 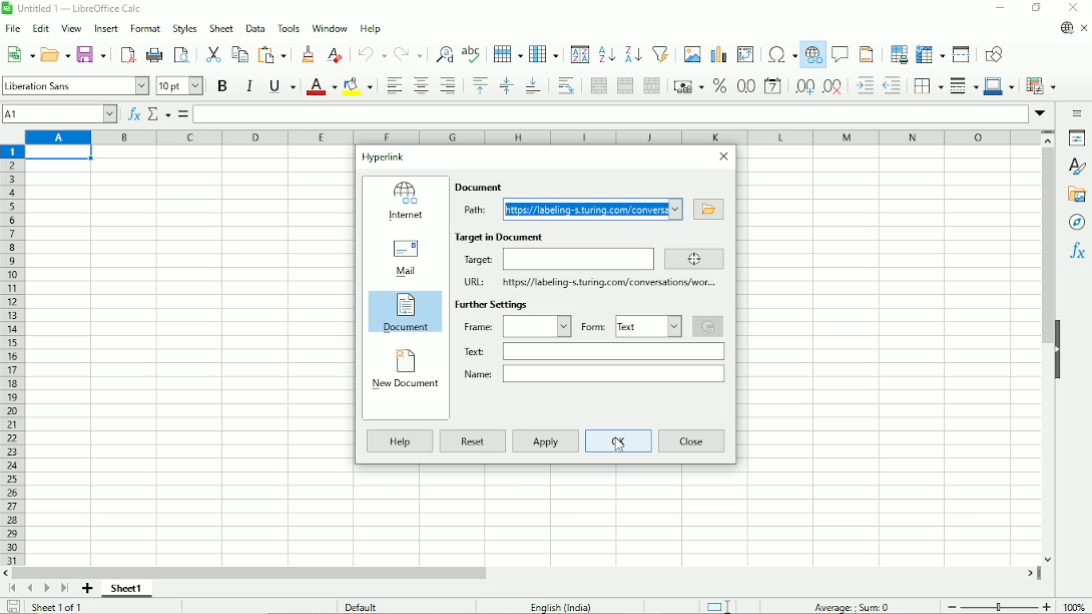 I want to click on Input, so click(x=577, y=259).